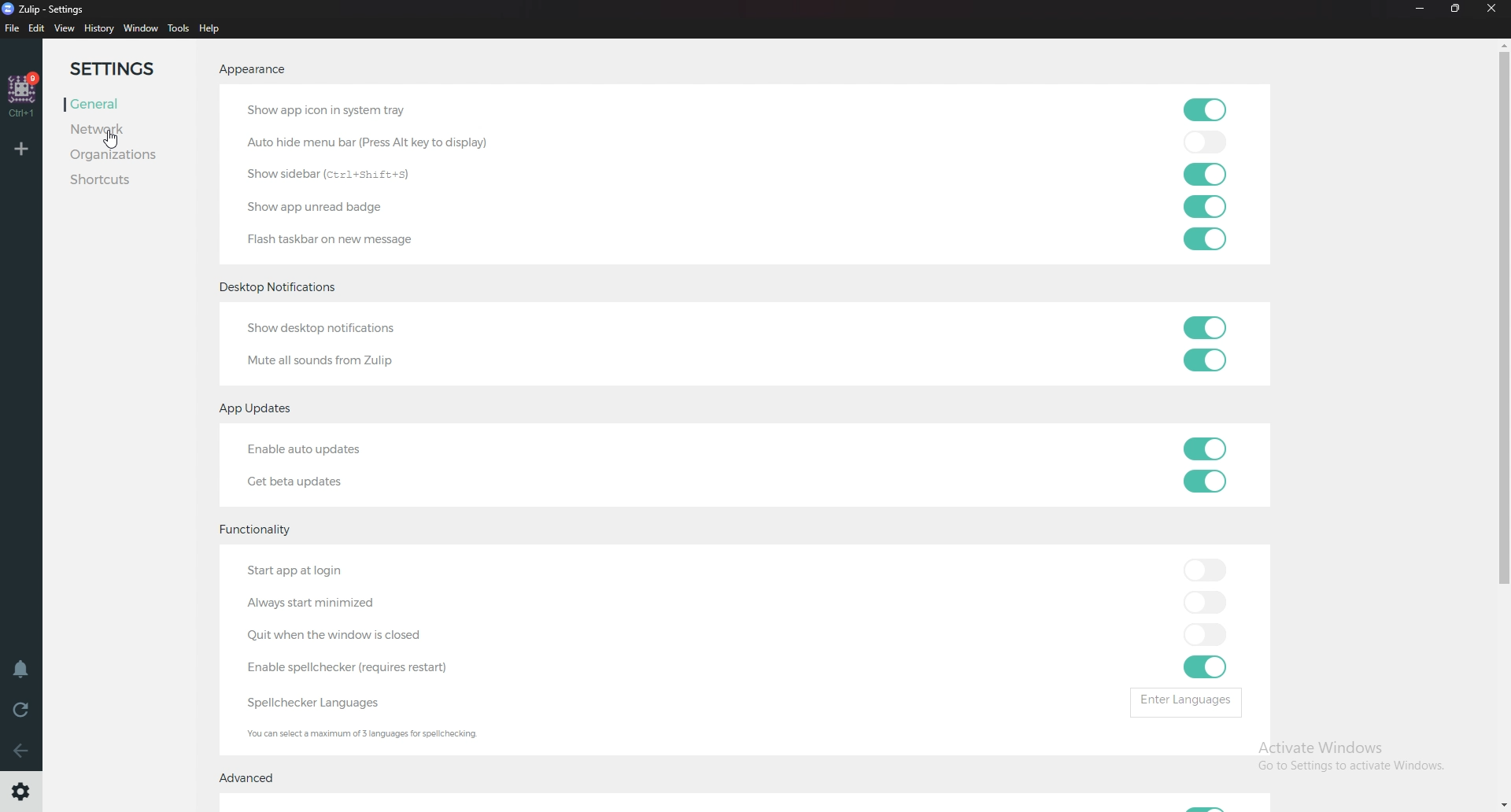 The image size is (1511, 812). Describe the element at coordinates (1213, 804) in the screenshot. I see `Toggle` at that location.